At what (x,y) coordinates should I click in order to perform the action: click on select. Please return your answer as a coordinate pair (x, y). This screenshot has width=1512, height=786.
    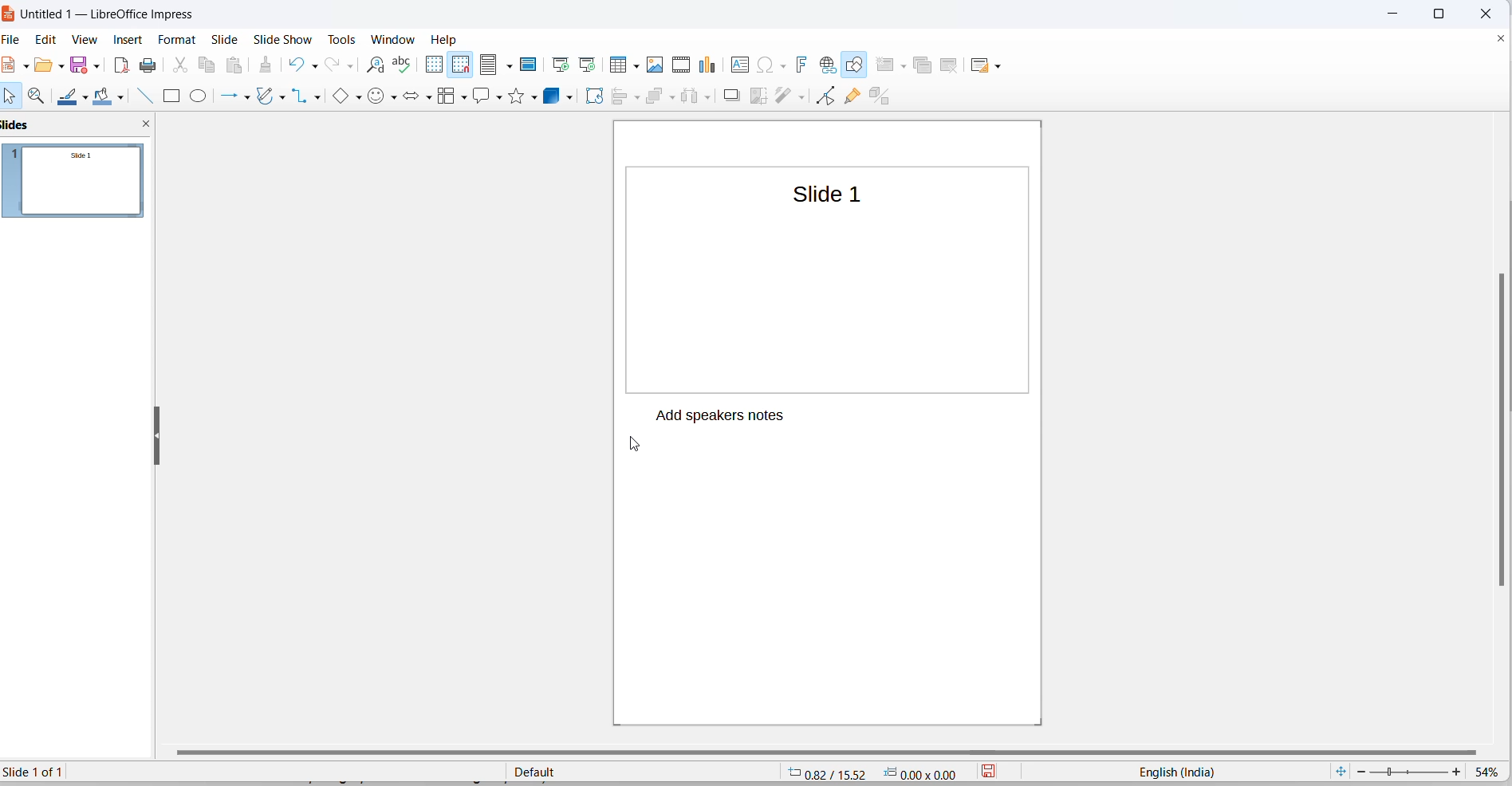
    Looking at the image, I should click on (12, 100).